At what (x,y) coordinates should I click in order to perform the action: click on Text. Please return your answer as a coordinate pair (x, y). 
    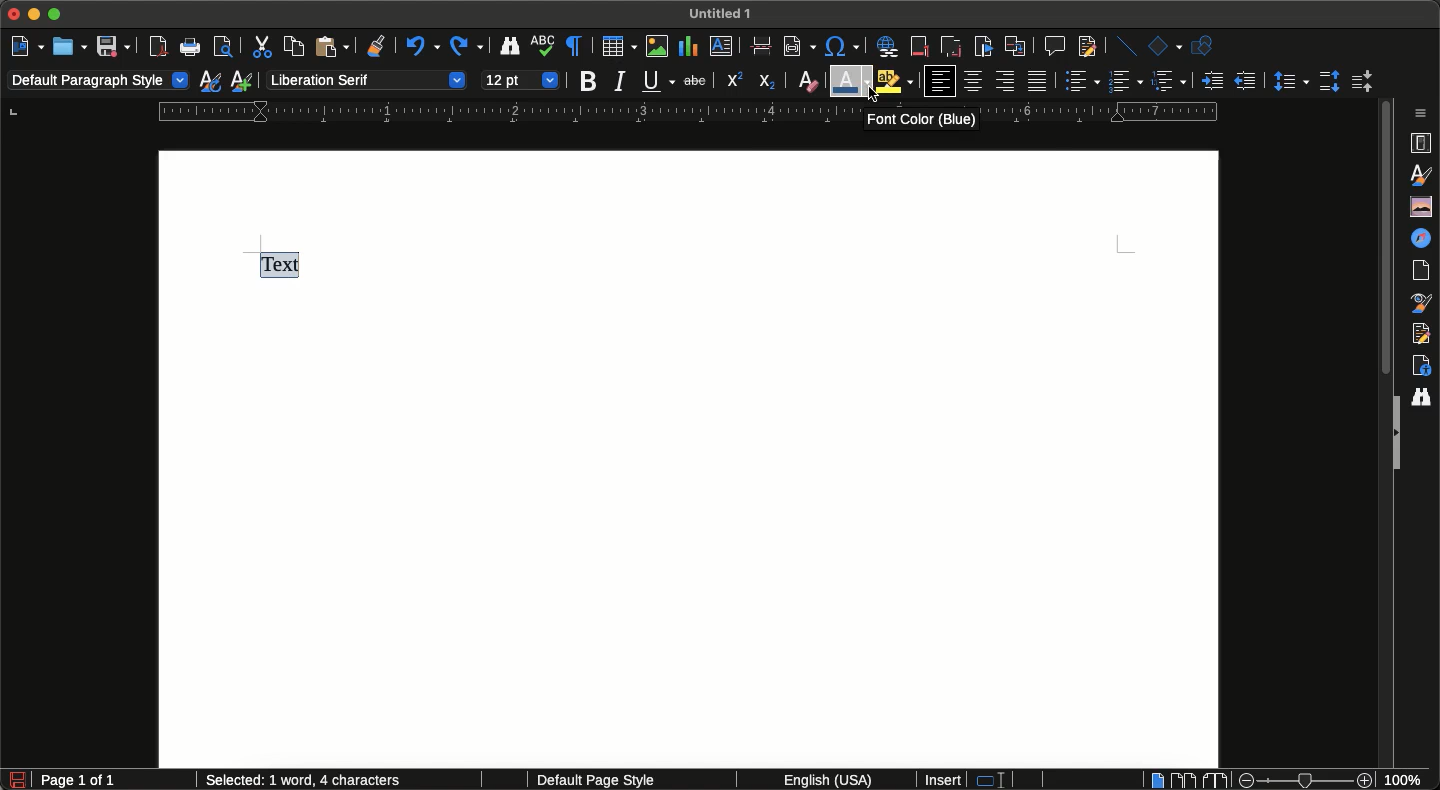
    Looking at the image, I should click on (285, 265).